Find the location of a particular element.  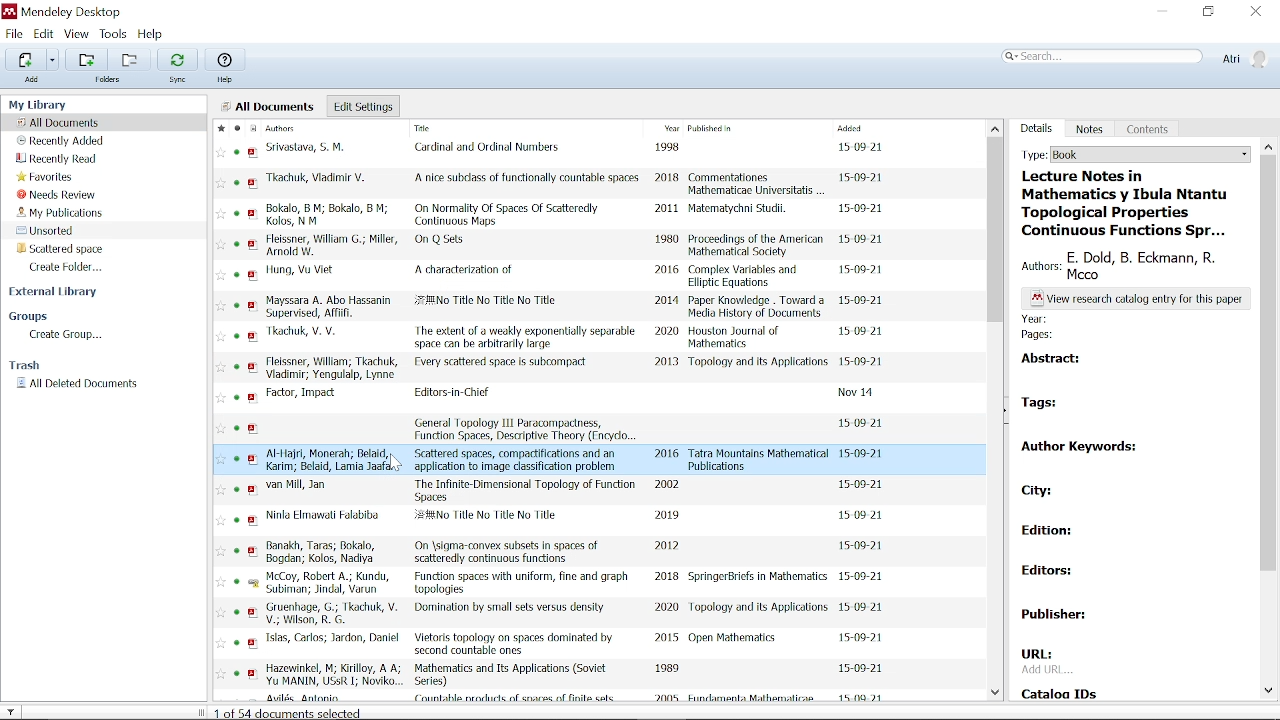

date is located at coordinates (858, 394).